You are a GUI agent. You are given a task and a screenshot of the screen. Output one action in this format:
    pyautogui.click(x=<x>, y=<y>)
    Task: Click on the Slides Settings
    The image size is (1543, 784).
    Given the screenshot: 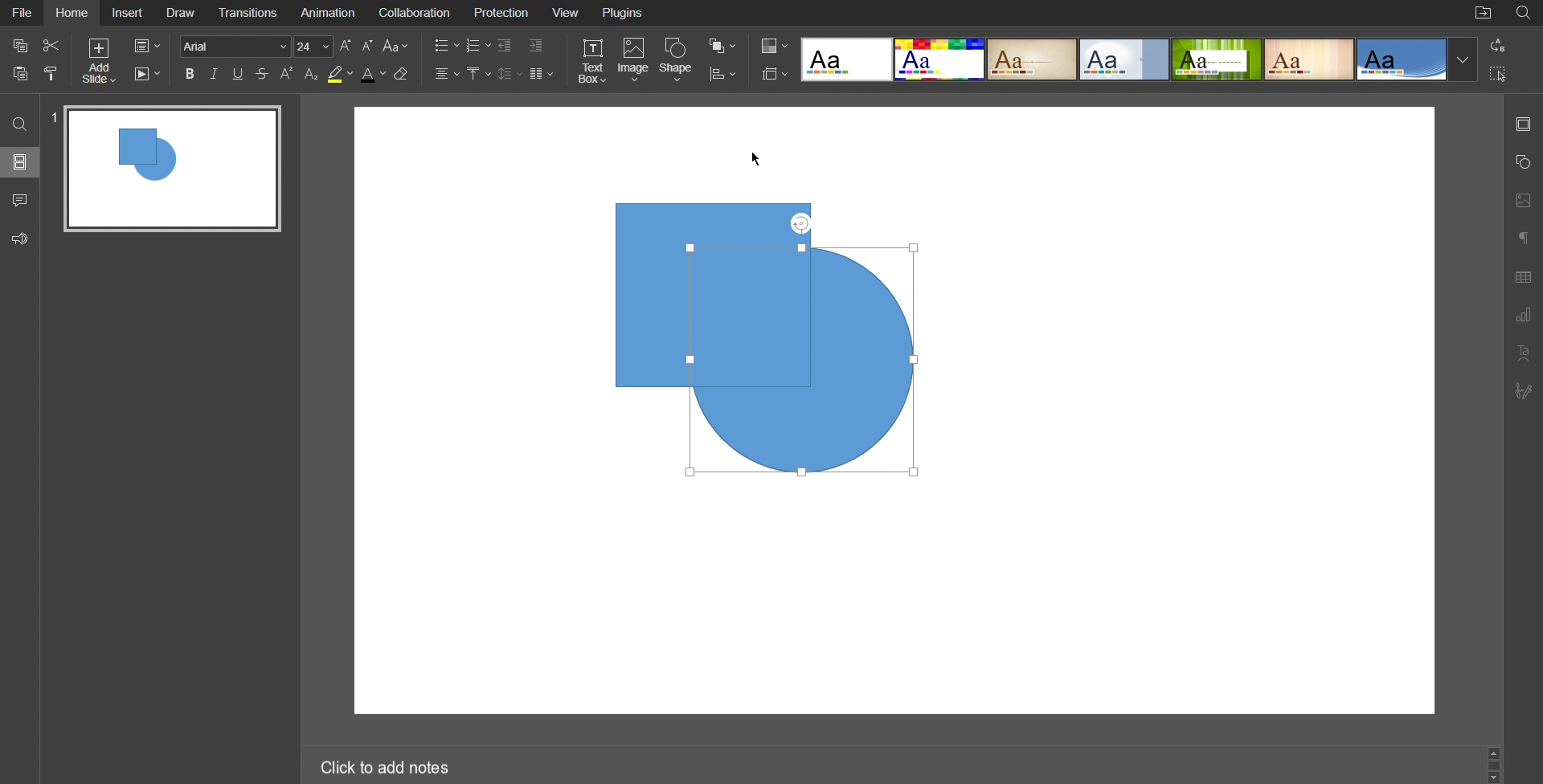 What is the action you would take?
    pyautogui.click(x=1525, y=125)
    